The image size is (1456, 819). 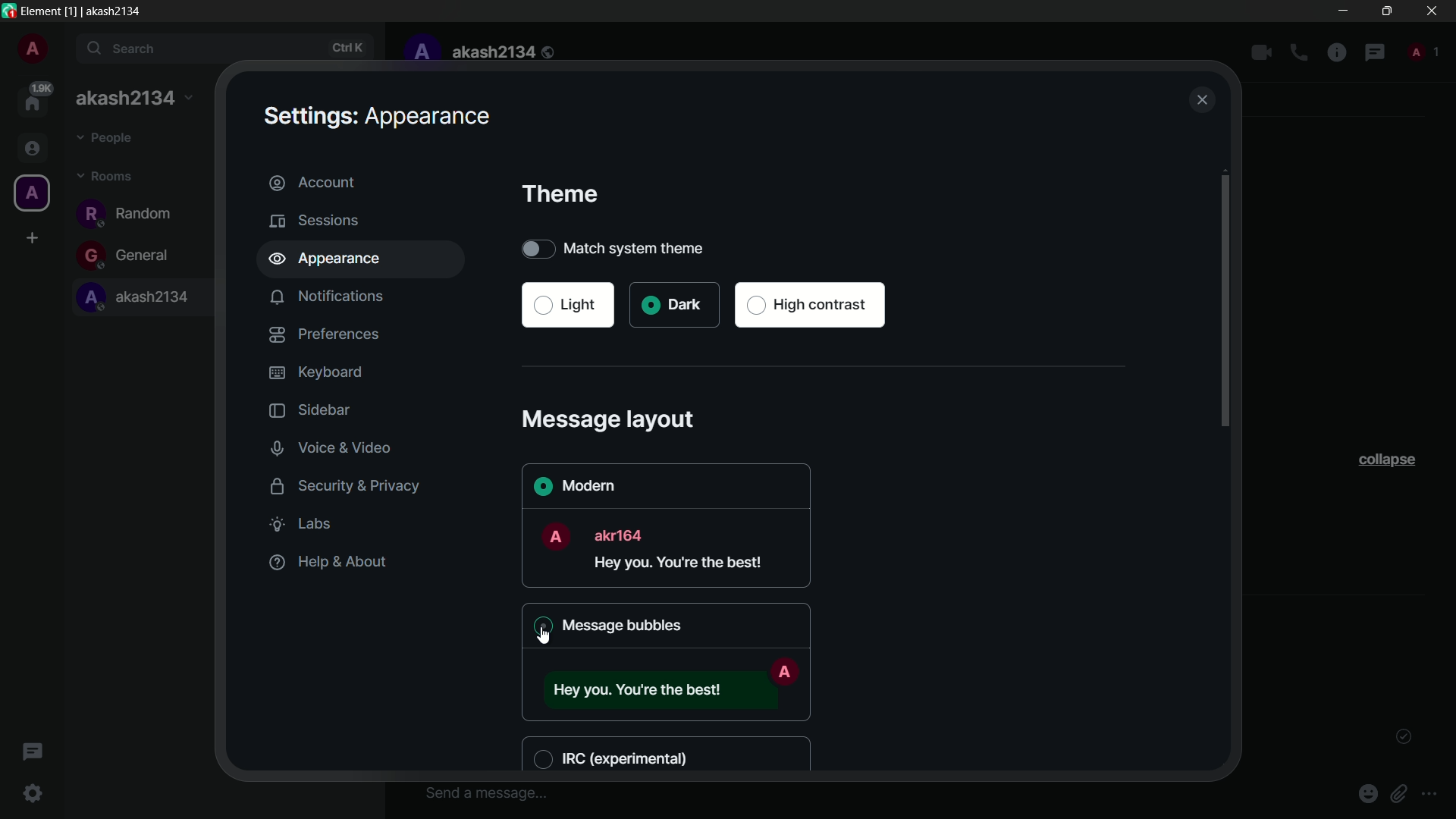 What do you see at coordinates (1385, 460) in the screenshot?
I see `collapse` at bounding box center [1385, 460].